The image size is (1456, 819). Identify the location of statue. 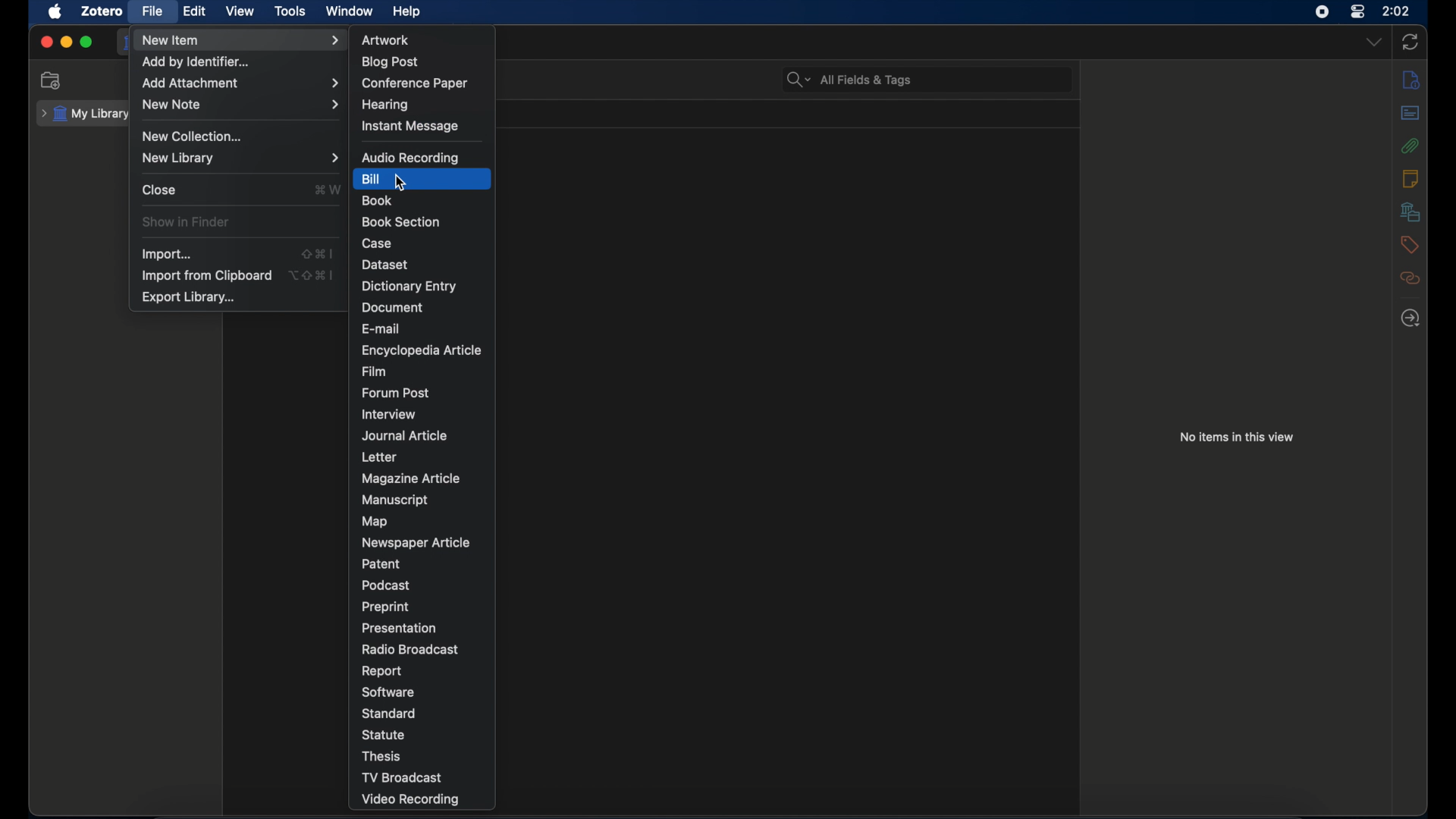
(383, 734).